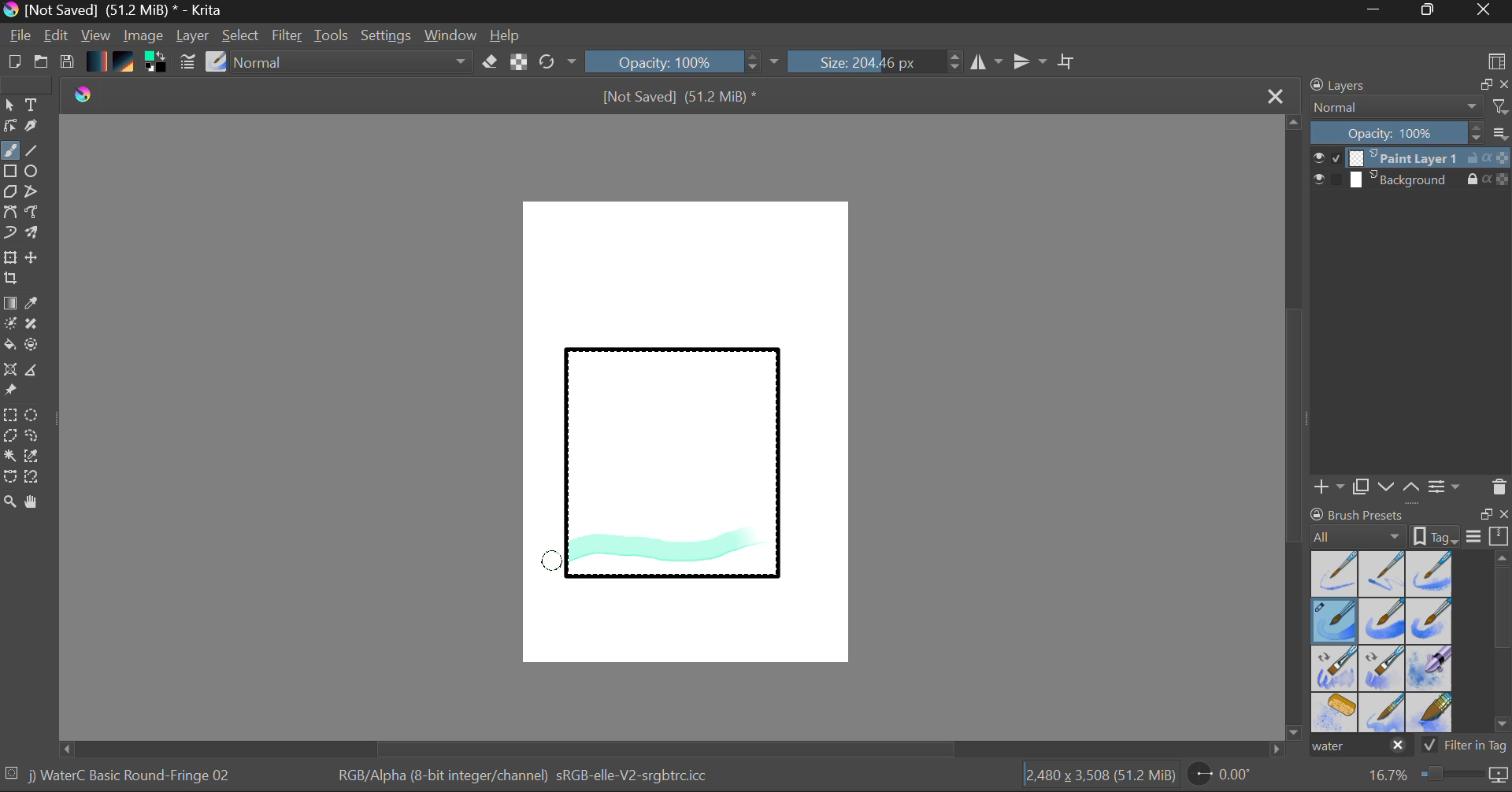 This screenshot has width=1512, height=792. Describe the element at coordinates (195, 35) in the screenshot. I see `Layer` at that location.